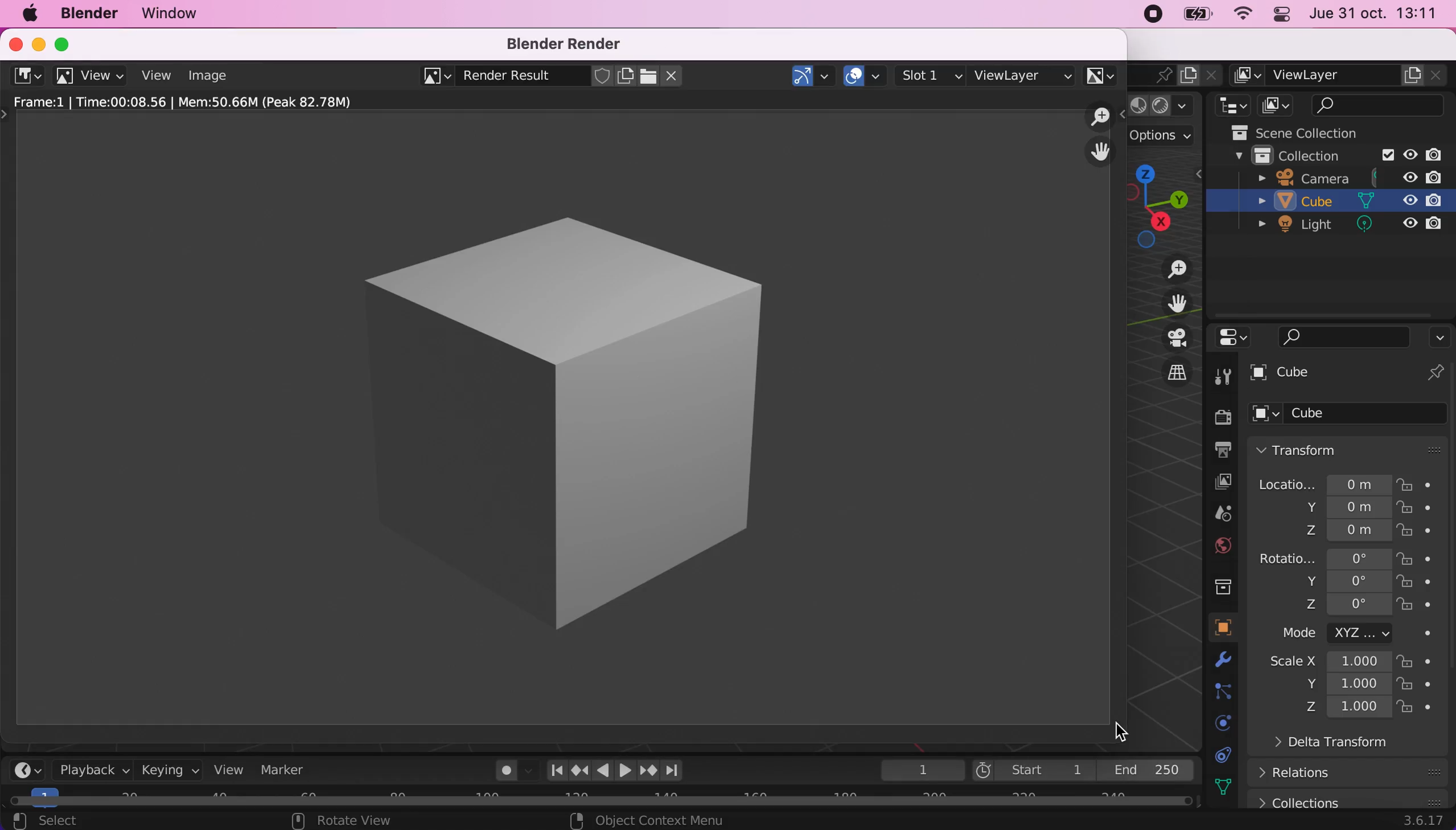  Describe the element at coordinates (1229, 338) in the screenshot. I see `editor type` at that location.